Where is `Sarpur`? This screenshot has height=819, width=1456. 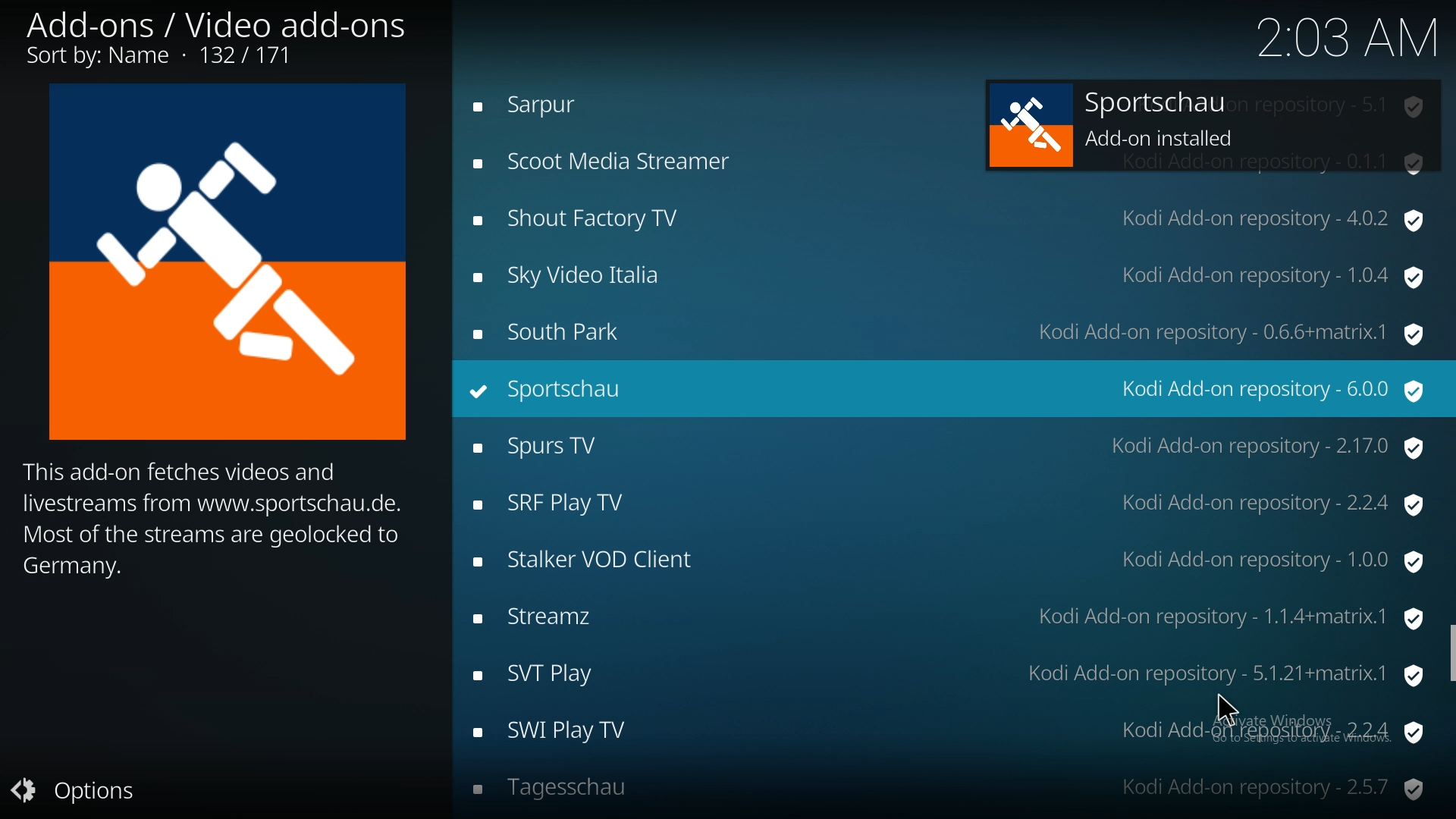 Sarpur is located at coordinates (535, 110).